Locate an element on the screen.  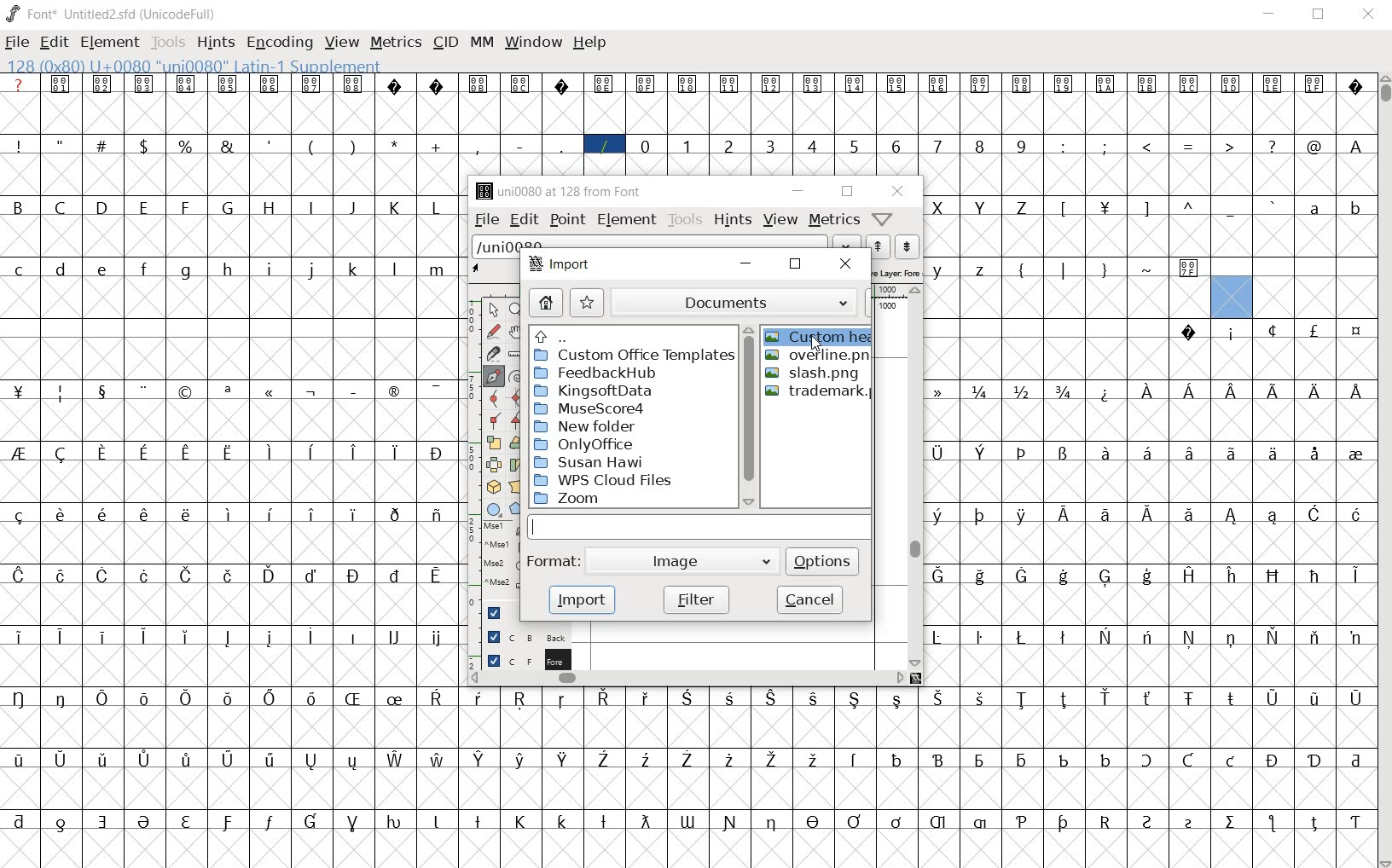
glyph is located at coordinates (1064, 513).